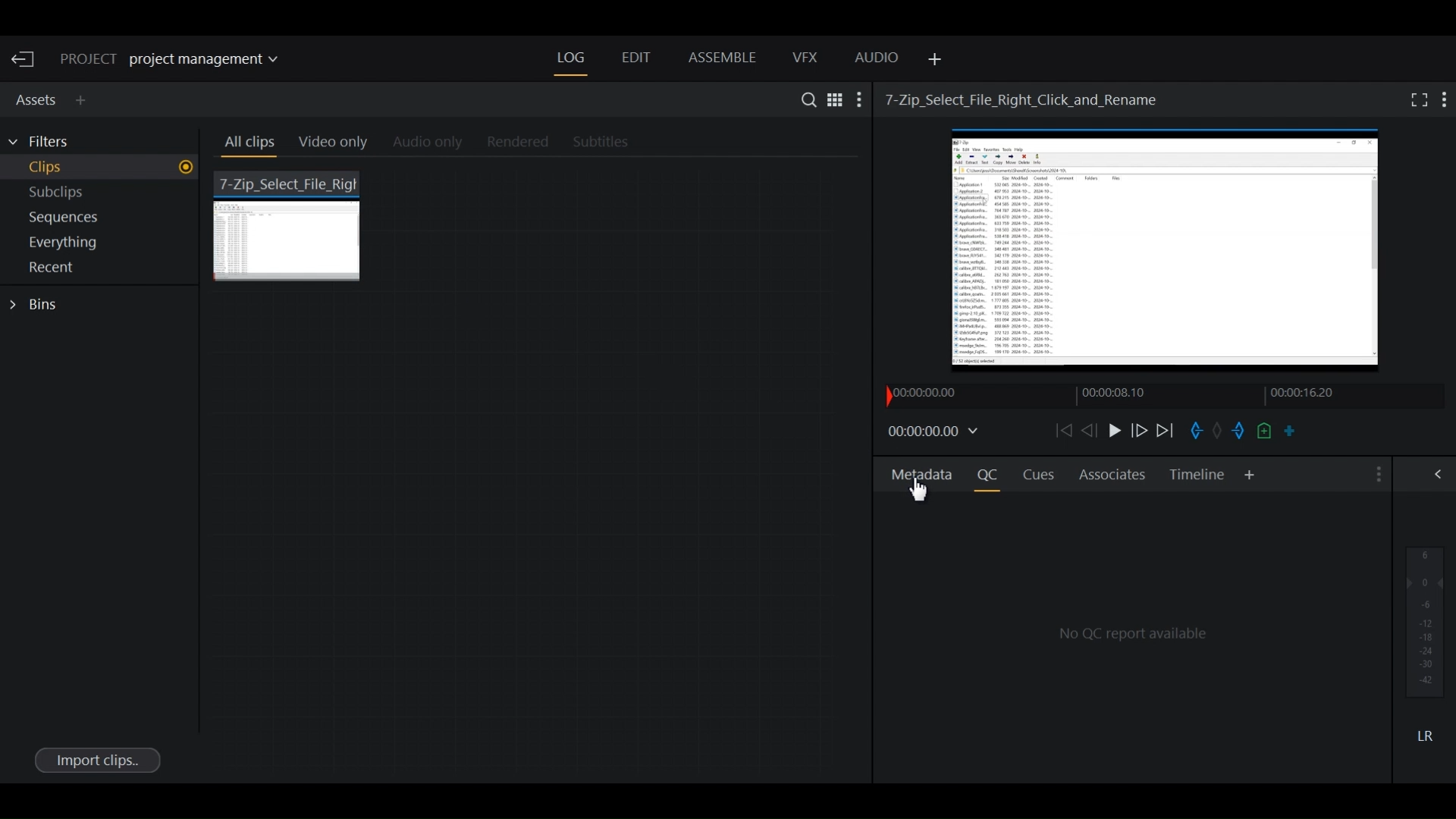  What do you see at coordinates (432, 143) in the screenshot?
I see `Audio Only` at bounding box center [432, 143].